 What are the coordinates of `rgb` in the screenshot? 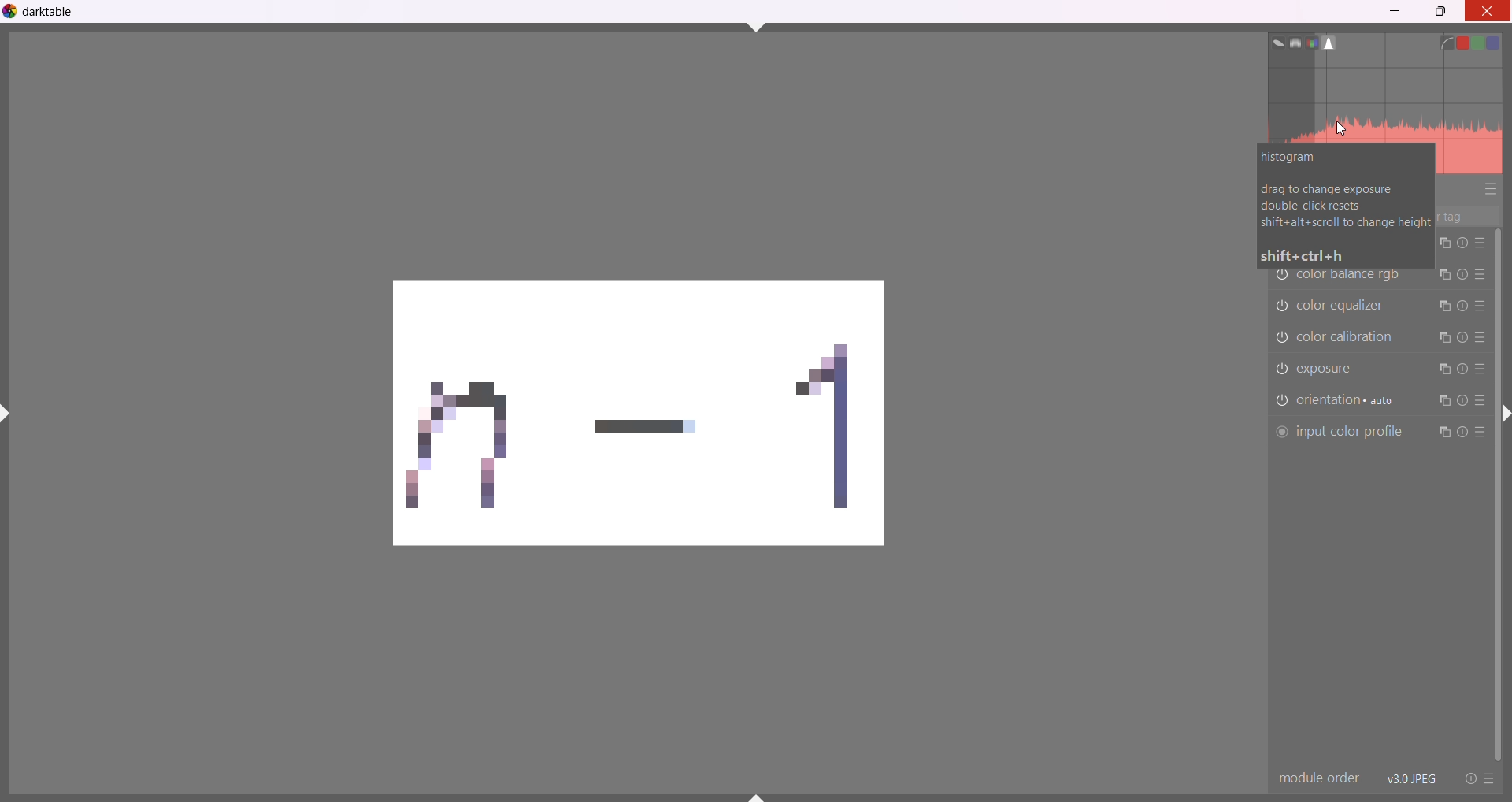 It's located at (1312, 43).